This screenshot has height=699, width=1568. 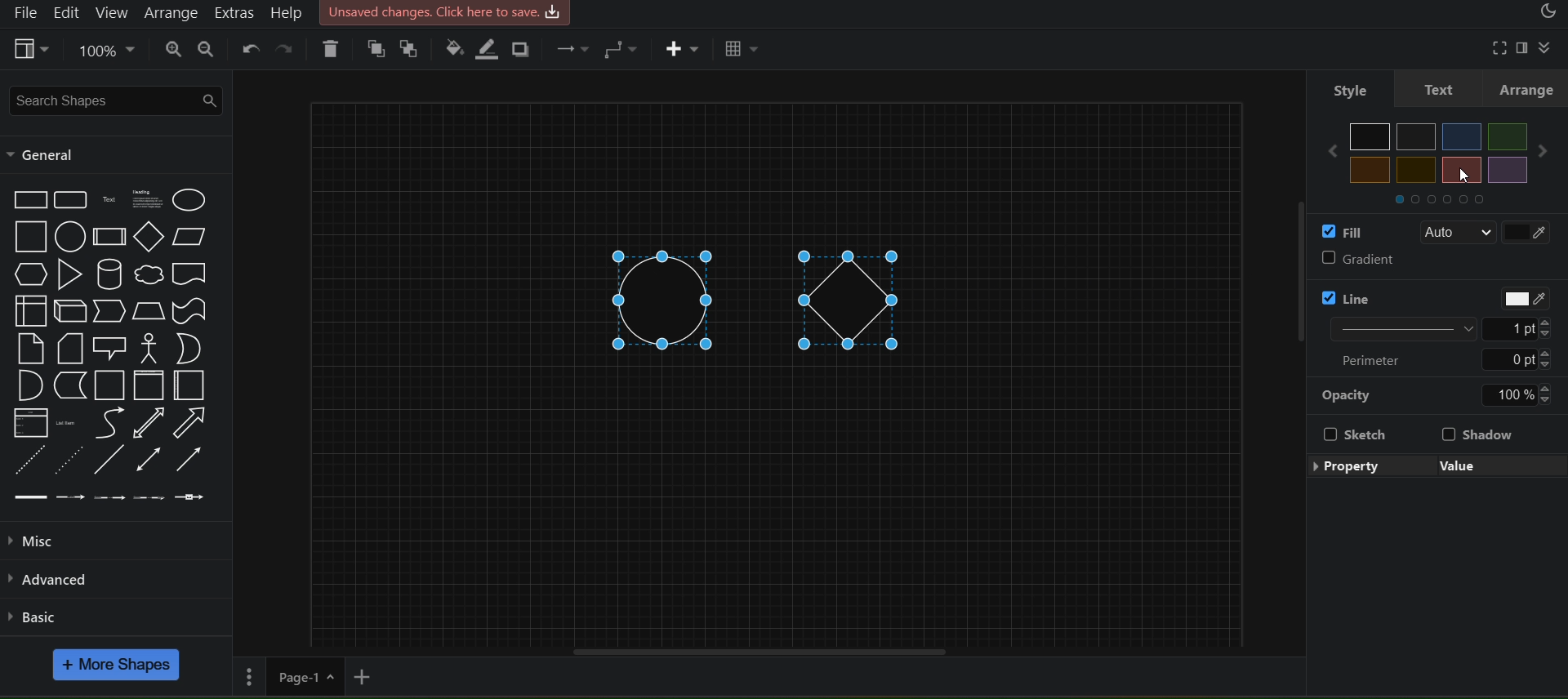 I want to click on , so click(x=1370, y=137).